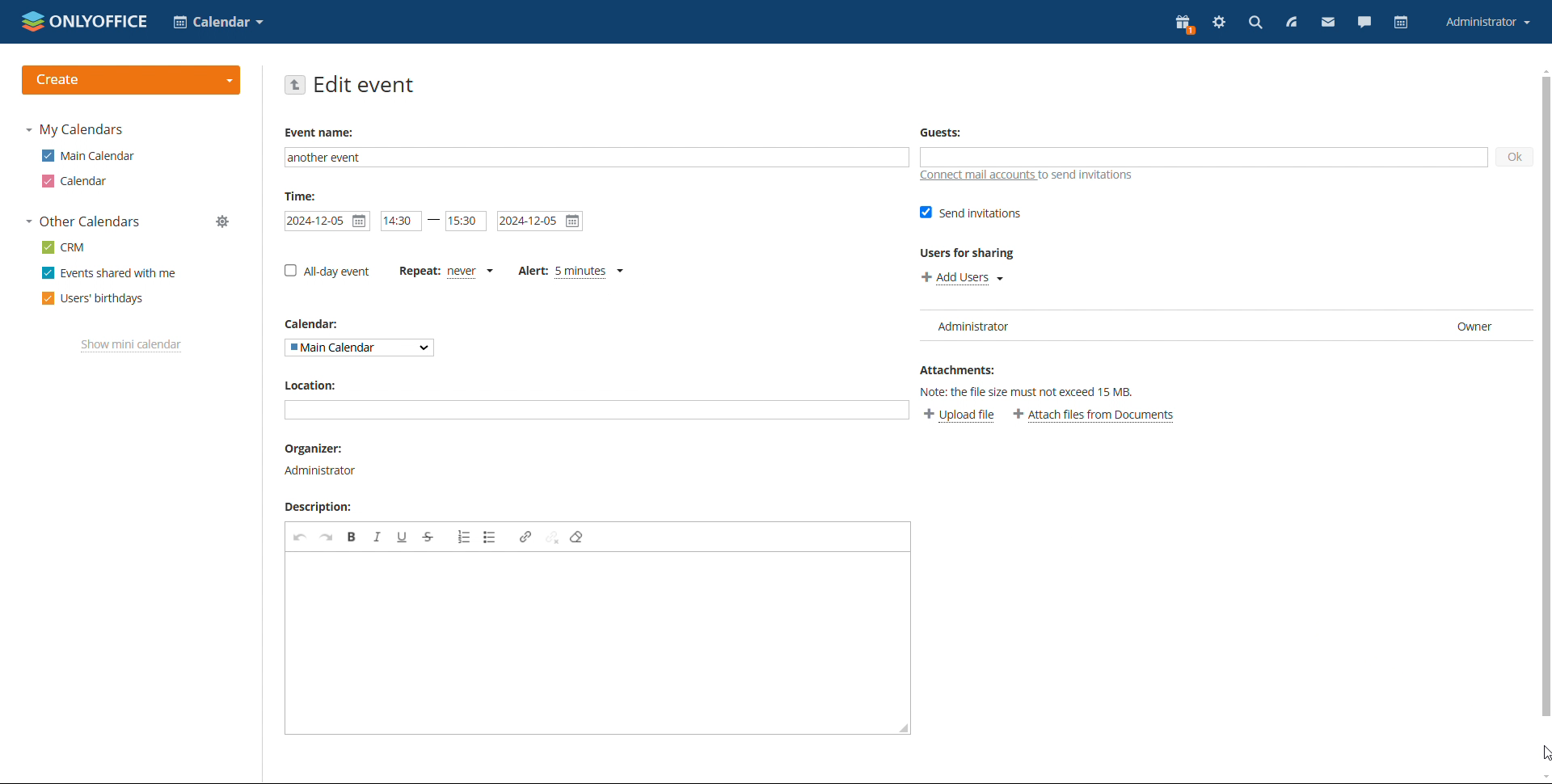  I want to click on Event name:, so click(322, 133).